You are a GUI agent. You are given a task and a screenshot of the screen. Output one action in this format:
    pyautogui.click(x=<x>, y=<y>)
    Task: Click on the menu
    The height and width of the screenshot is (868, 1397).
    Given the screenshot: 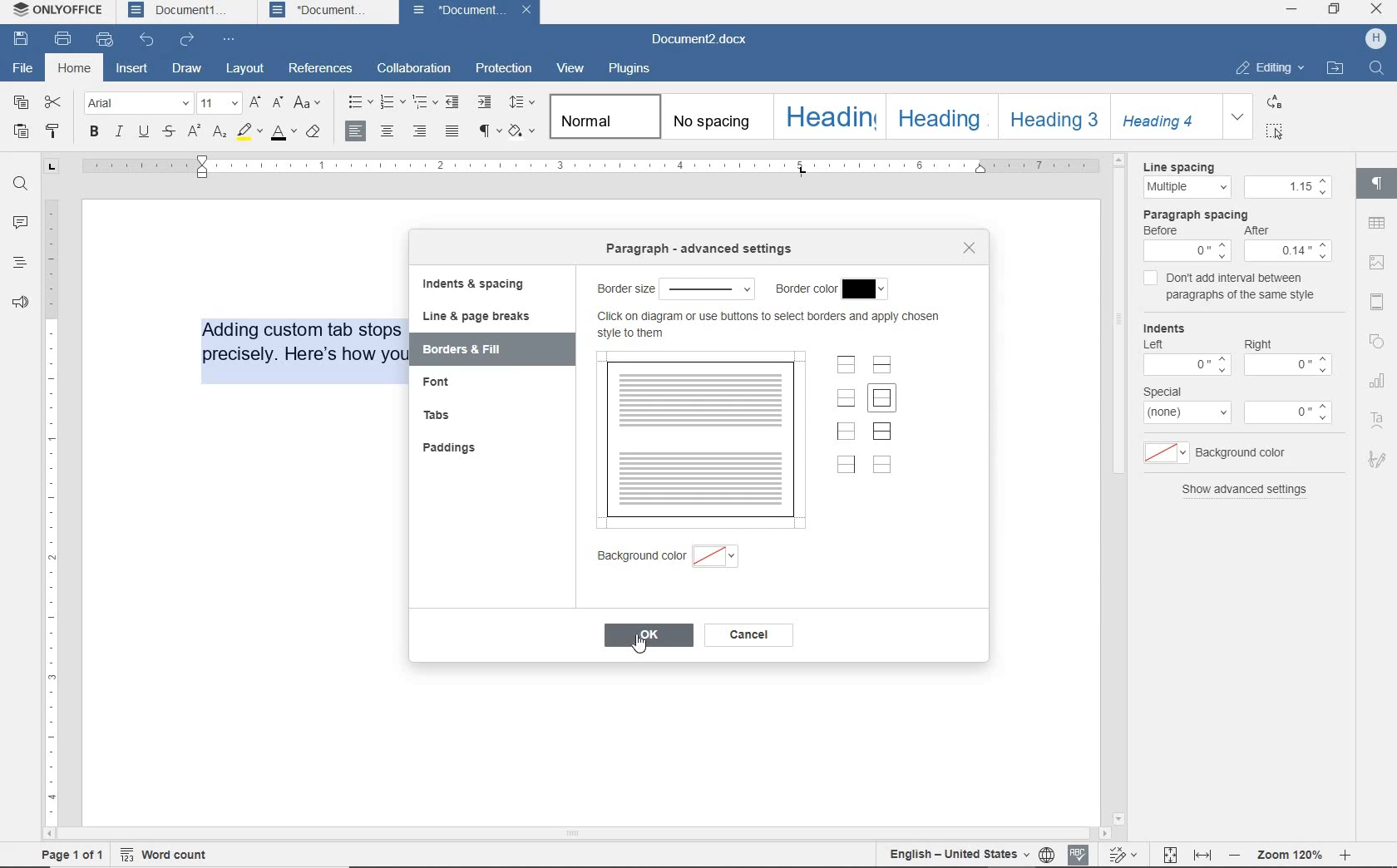 What is the action you would take?
    pyautogui.click(x=1184, y=367)
    